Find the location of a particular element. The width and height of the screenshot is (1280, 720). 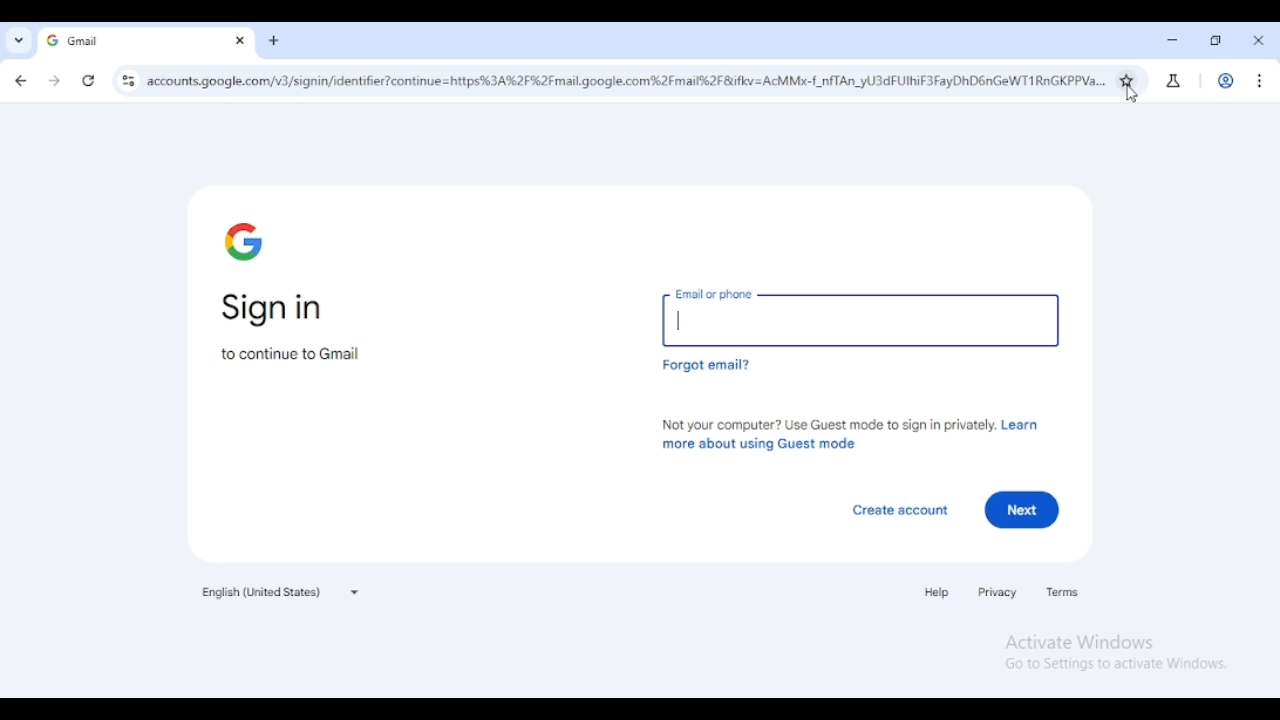

reload this page is located at coordinates (89, 81).